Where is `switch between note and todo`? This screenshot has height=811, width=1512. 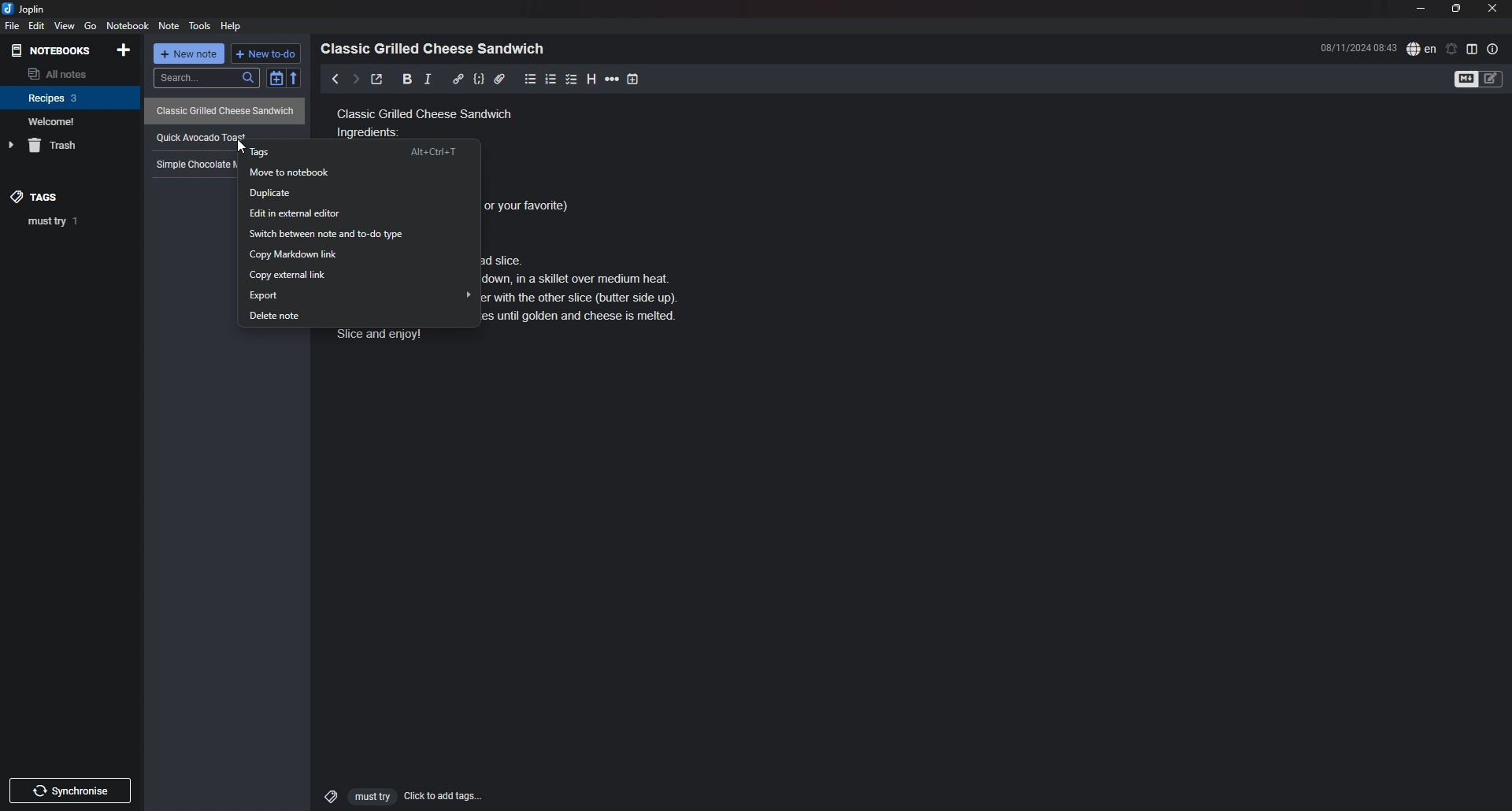 switch between note and todo is located at coordinates (359, 235).